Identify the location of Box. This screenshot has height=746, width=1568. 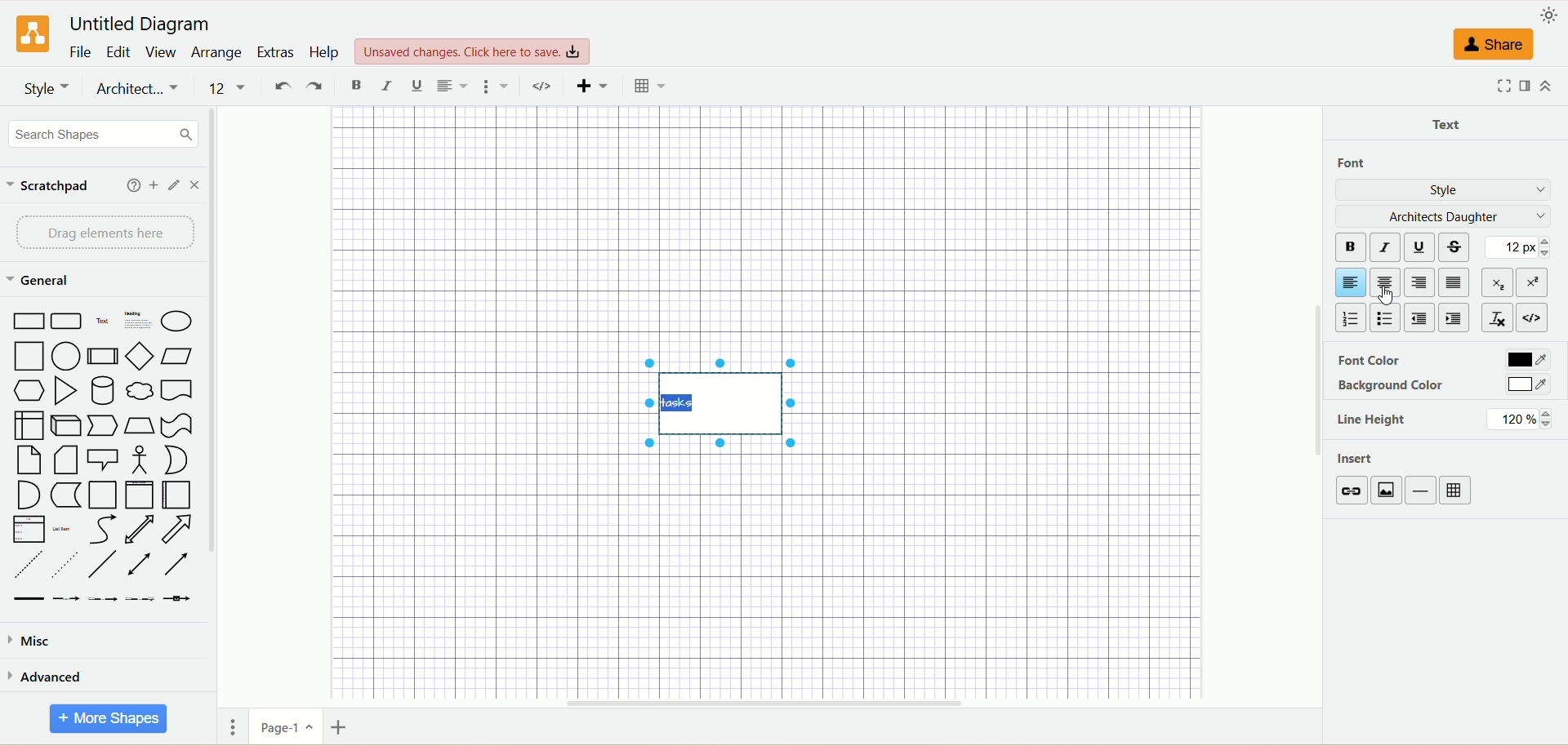
(29, 425).